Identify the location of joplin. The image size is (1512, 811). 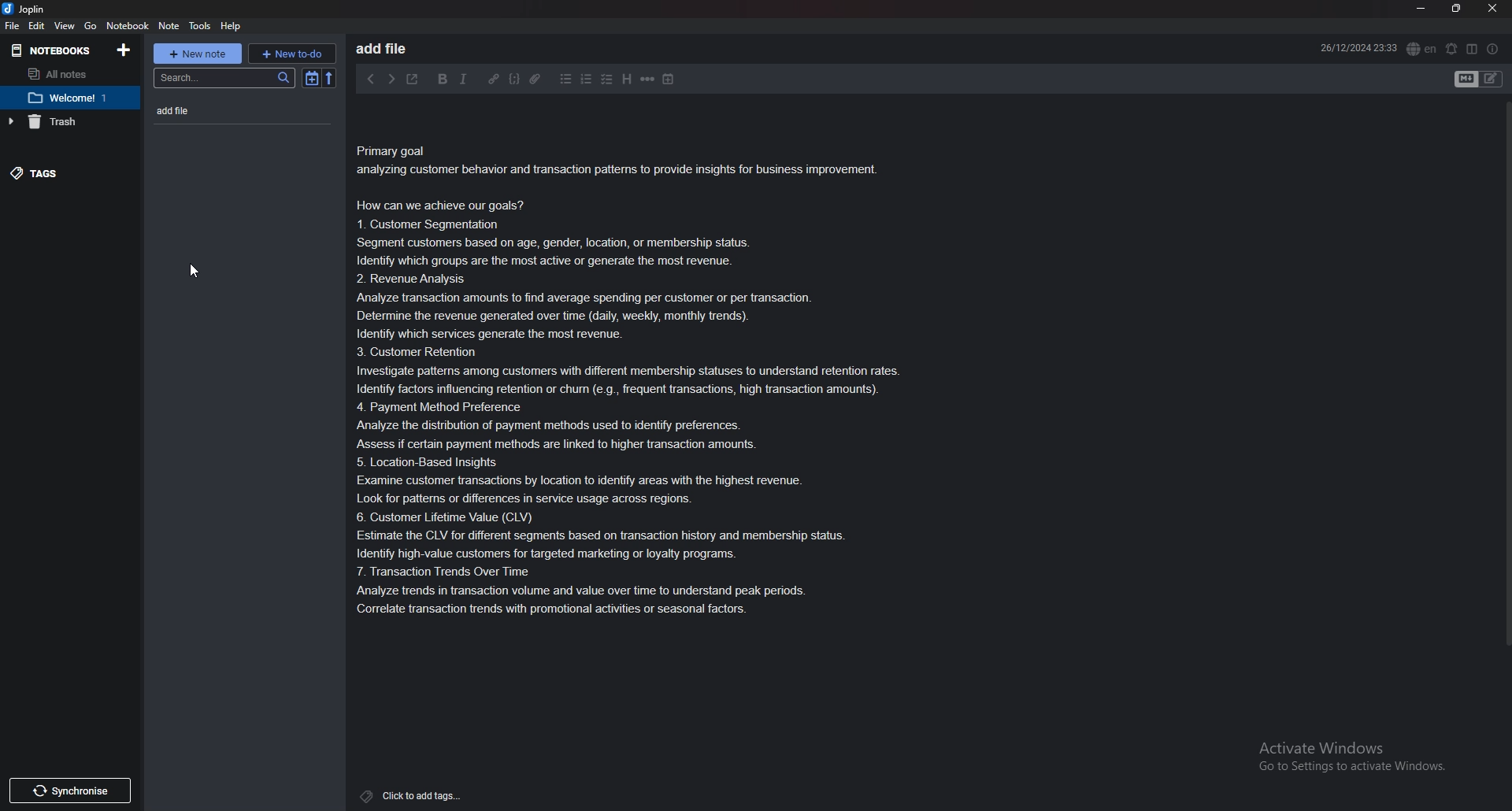
(28, 9).